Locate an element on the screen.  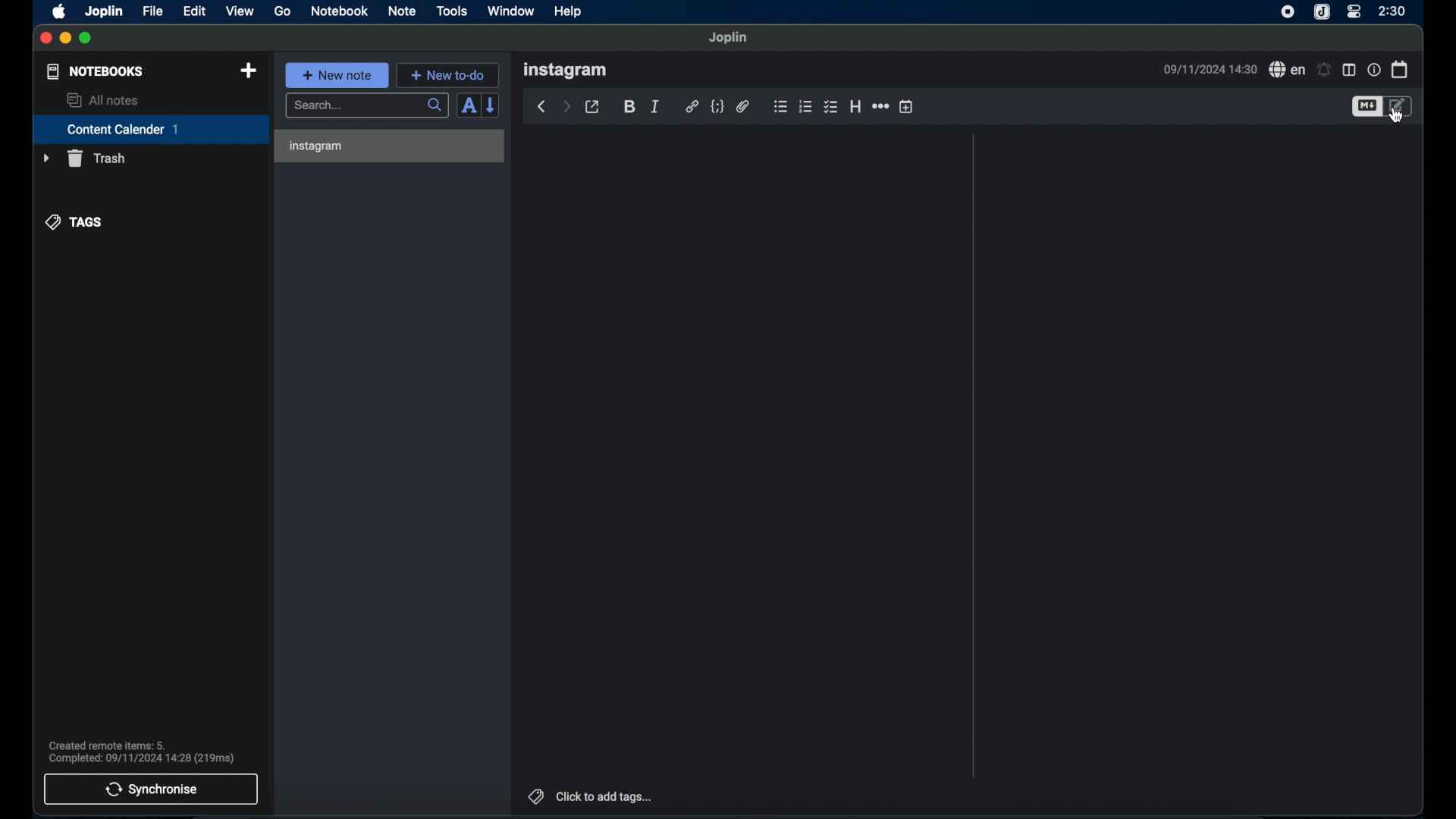
file is located at coordinates (154, 11).